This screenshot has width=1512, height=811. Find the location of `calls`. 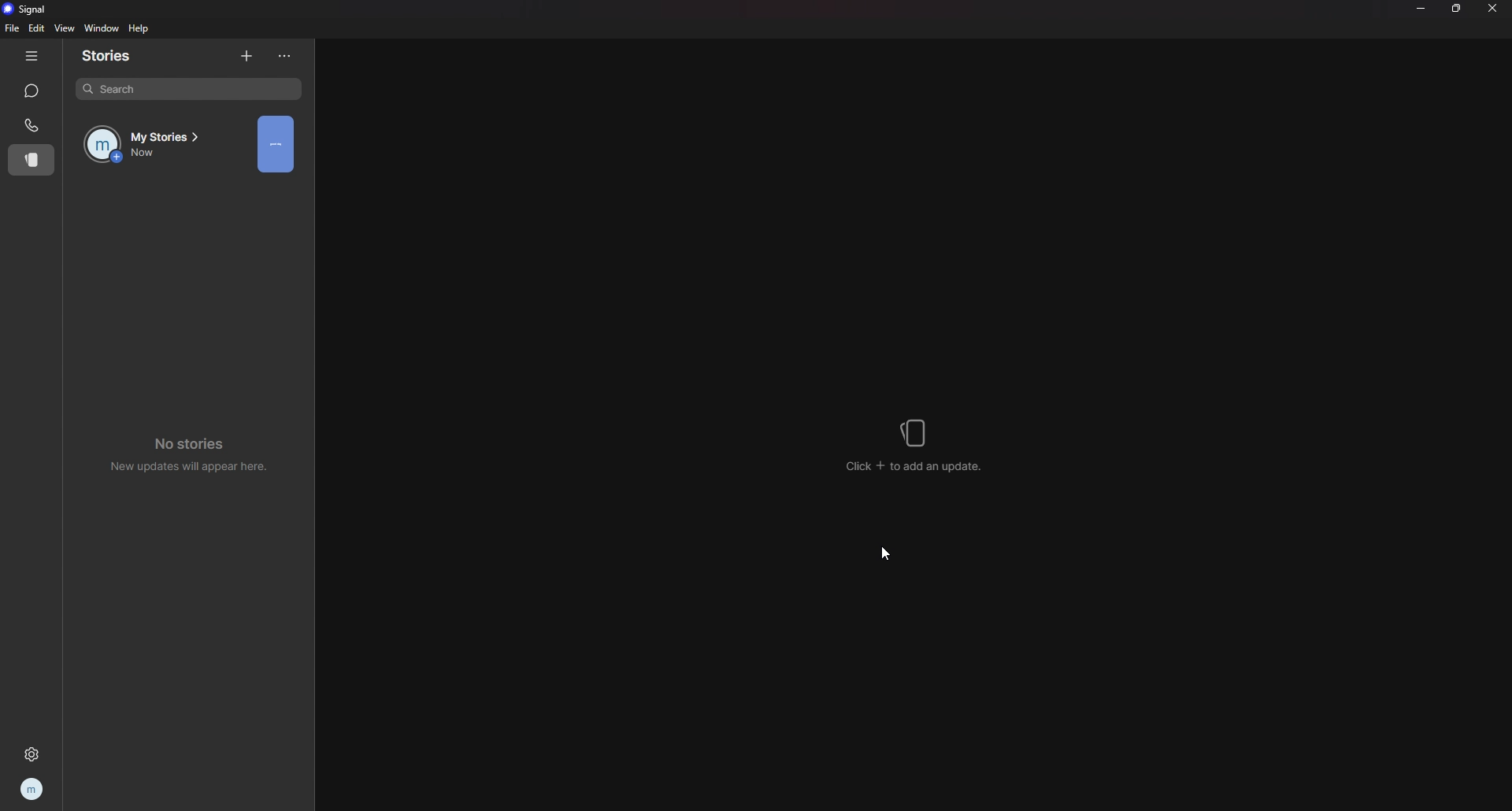

calls is located at coordinates (31, 124).